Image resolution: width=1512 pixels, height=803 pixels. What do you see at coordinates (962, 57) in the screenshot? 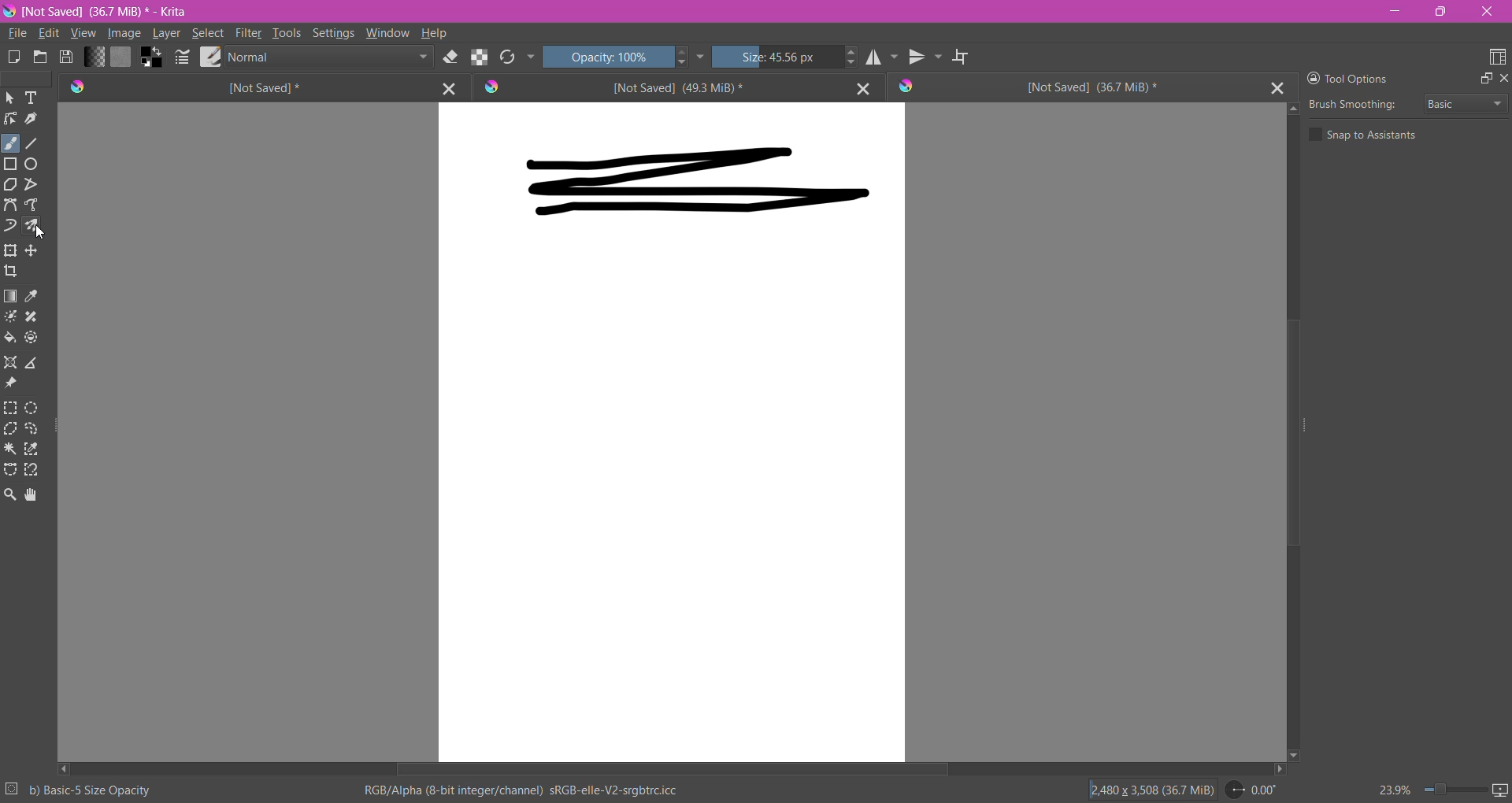
I see `Wrap Around Mode` at bounding box center [962, 57].